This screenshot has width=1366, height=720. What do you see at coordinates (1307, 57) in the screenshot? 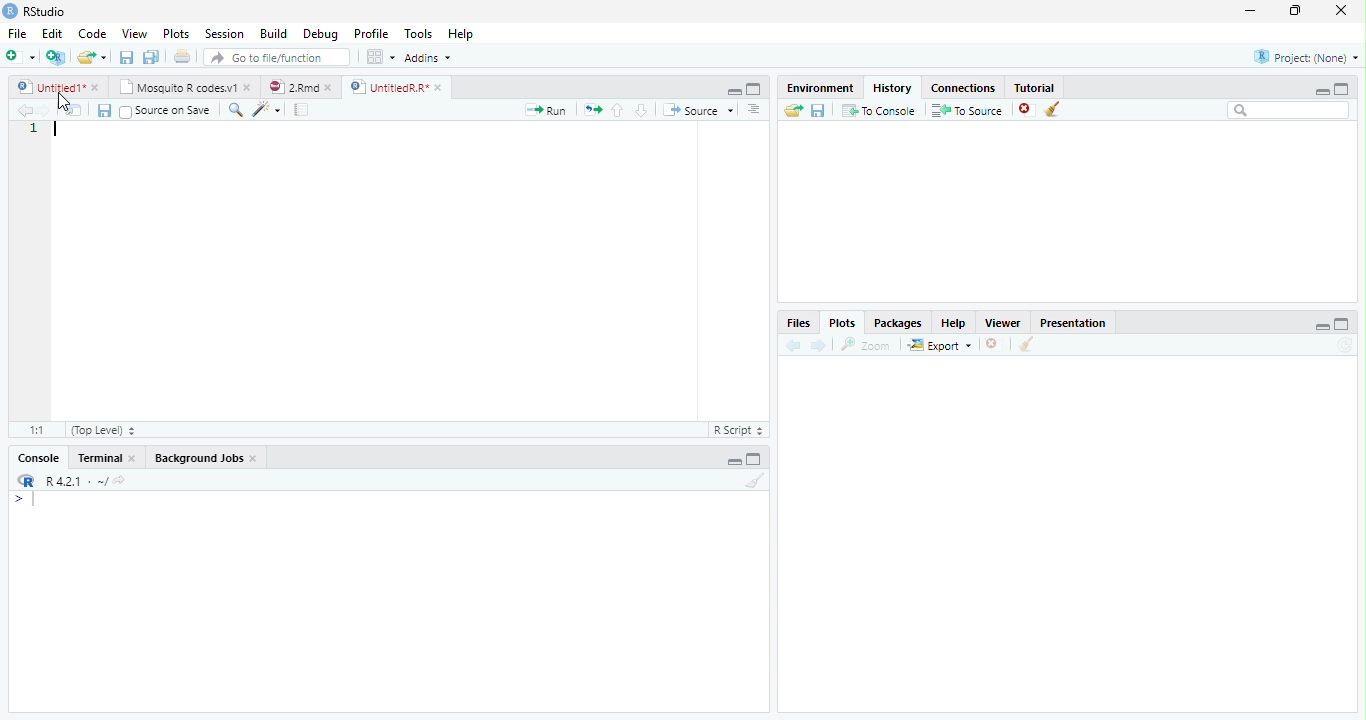
I see `Project: (None)` at bounding box center [1307, 57].